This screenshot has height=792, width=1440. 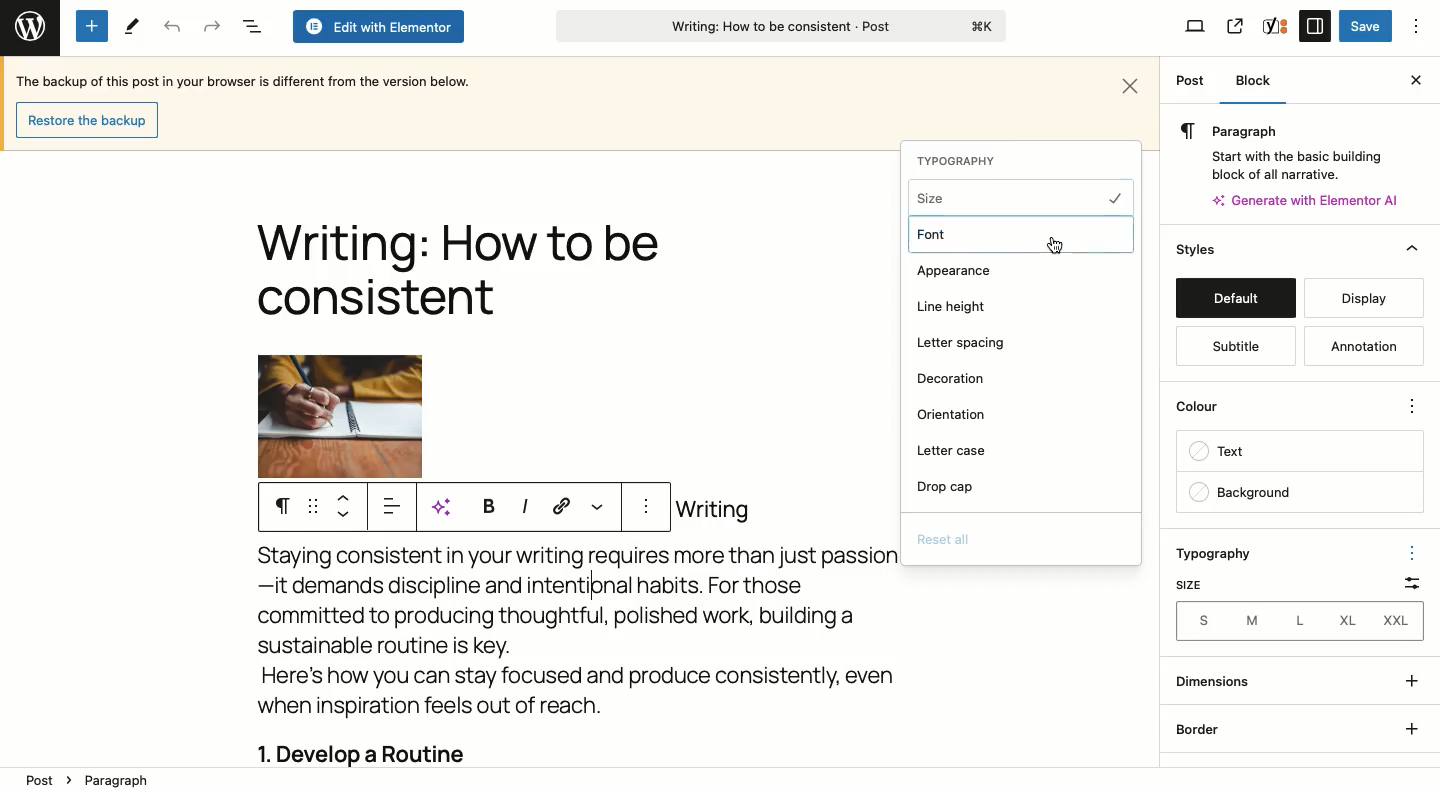 I want to click on Options, so click(x=1417, y=26).